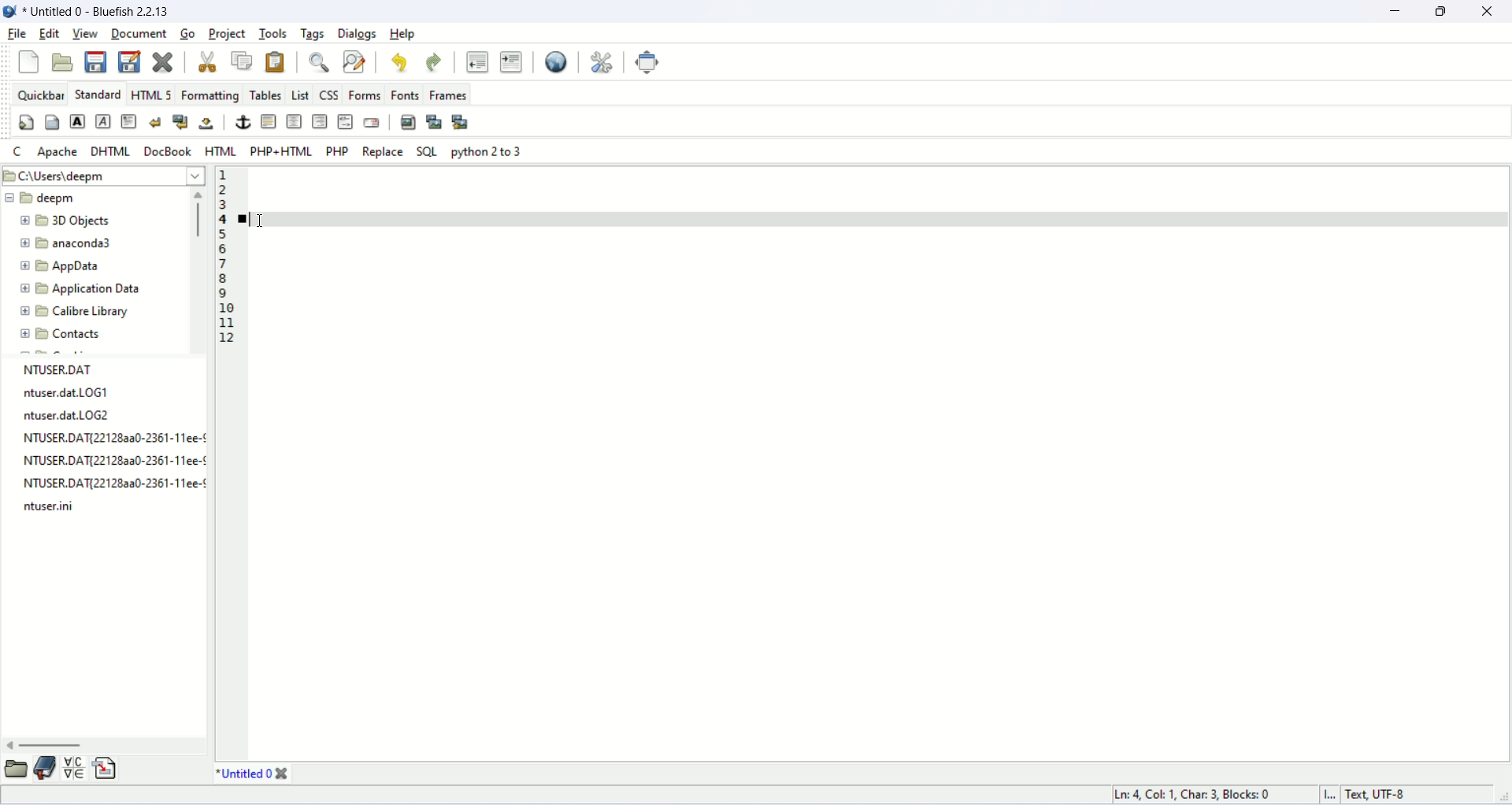  What do you see at coordinates (1196, 796) in the screenshot?
I see `Ln, col, char, block` at bounding box center [1196, 796].